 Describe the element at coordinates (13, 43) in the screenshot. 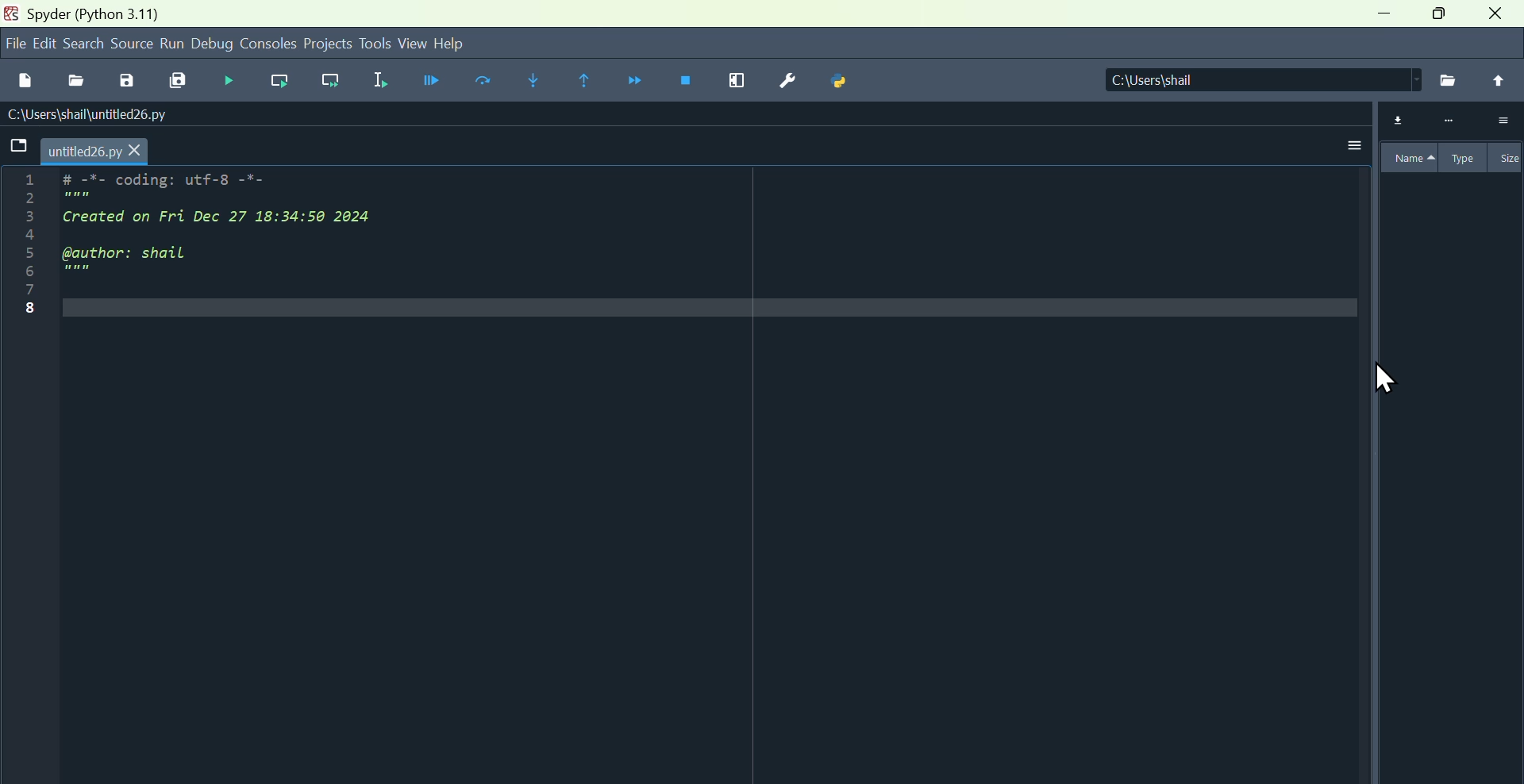

I see `file` at that location.